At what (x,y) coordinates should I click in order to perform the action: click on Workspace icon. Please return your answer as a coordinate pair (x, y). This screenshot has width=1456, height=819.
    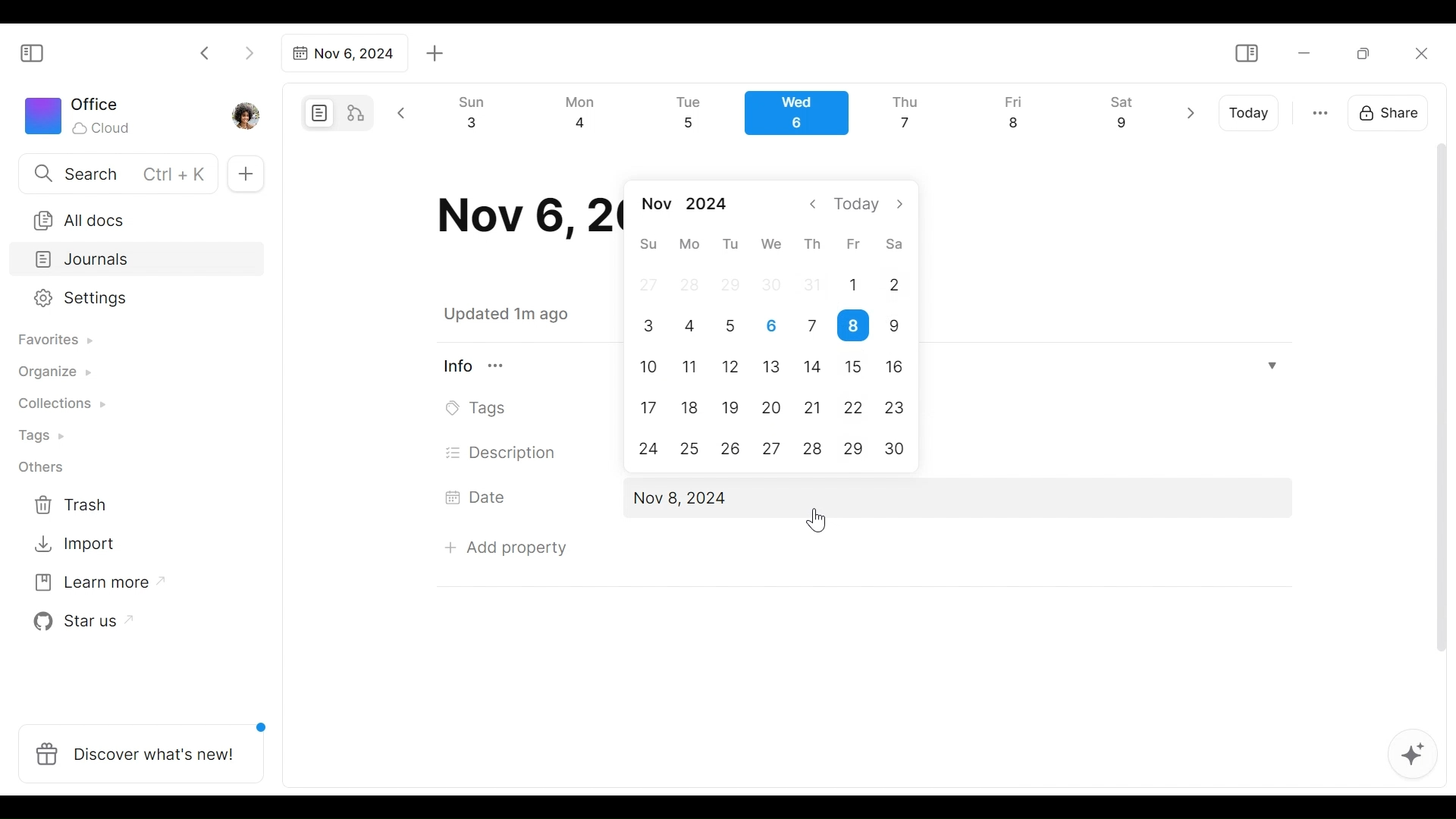
    Looking at the image, I should click on (80, 114).